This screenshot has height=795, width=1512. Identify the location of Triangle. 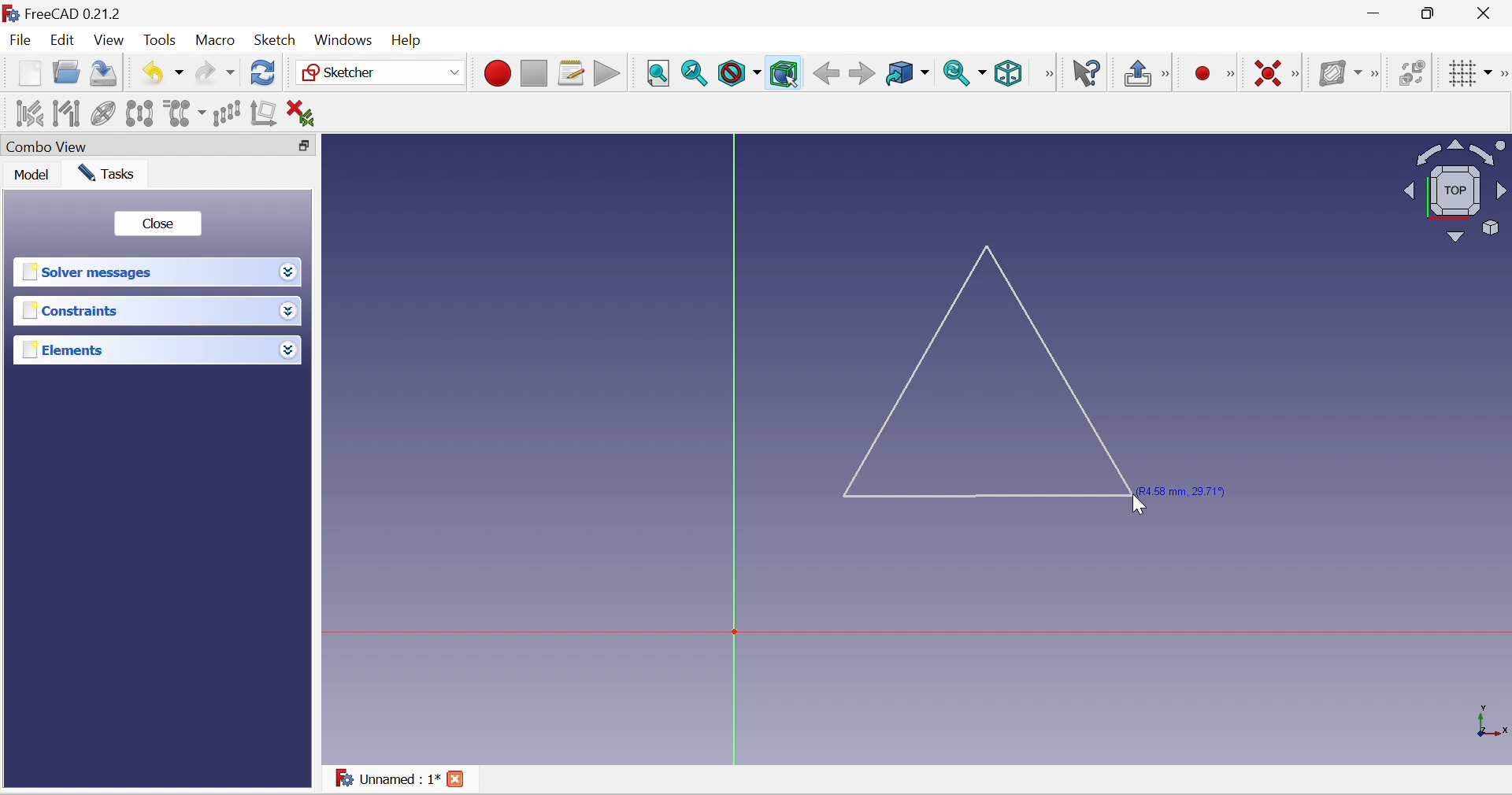
(992, 371).